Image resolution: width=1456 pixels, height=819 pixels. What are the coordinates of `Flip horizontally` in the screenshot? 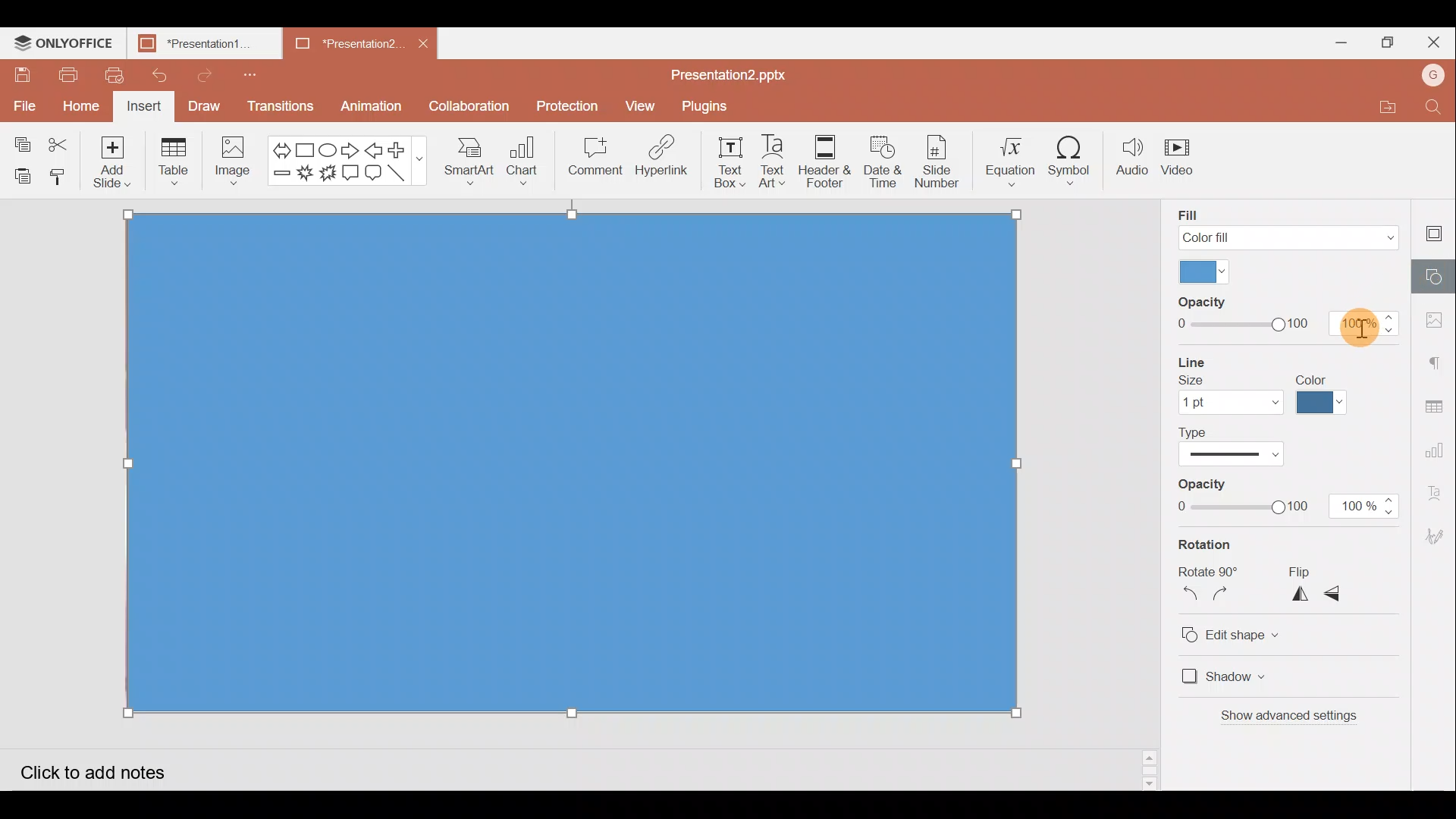 It's located at (1301, 596).